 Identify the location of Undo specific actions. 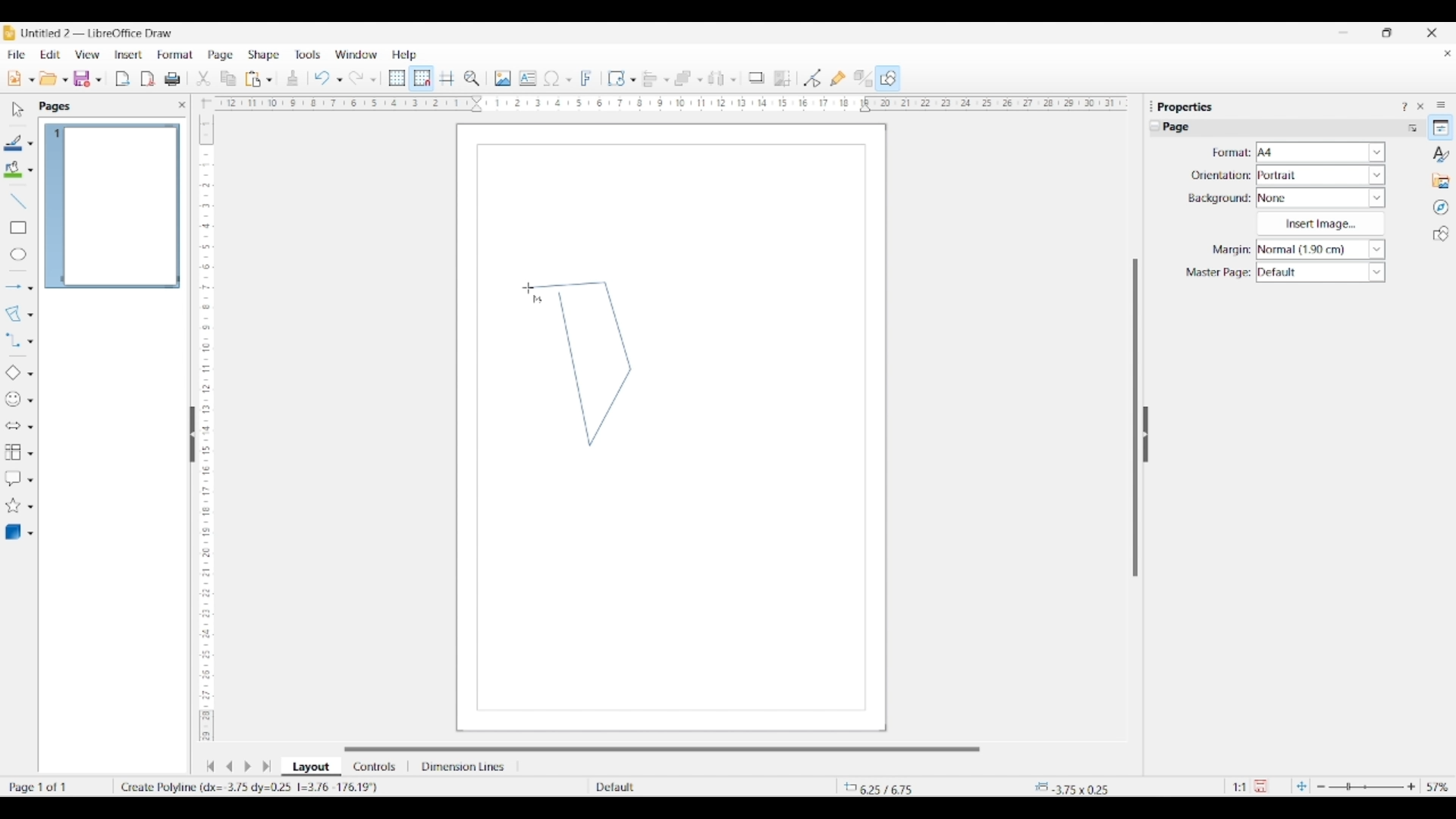
(339, 80).